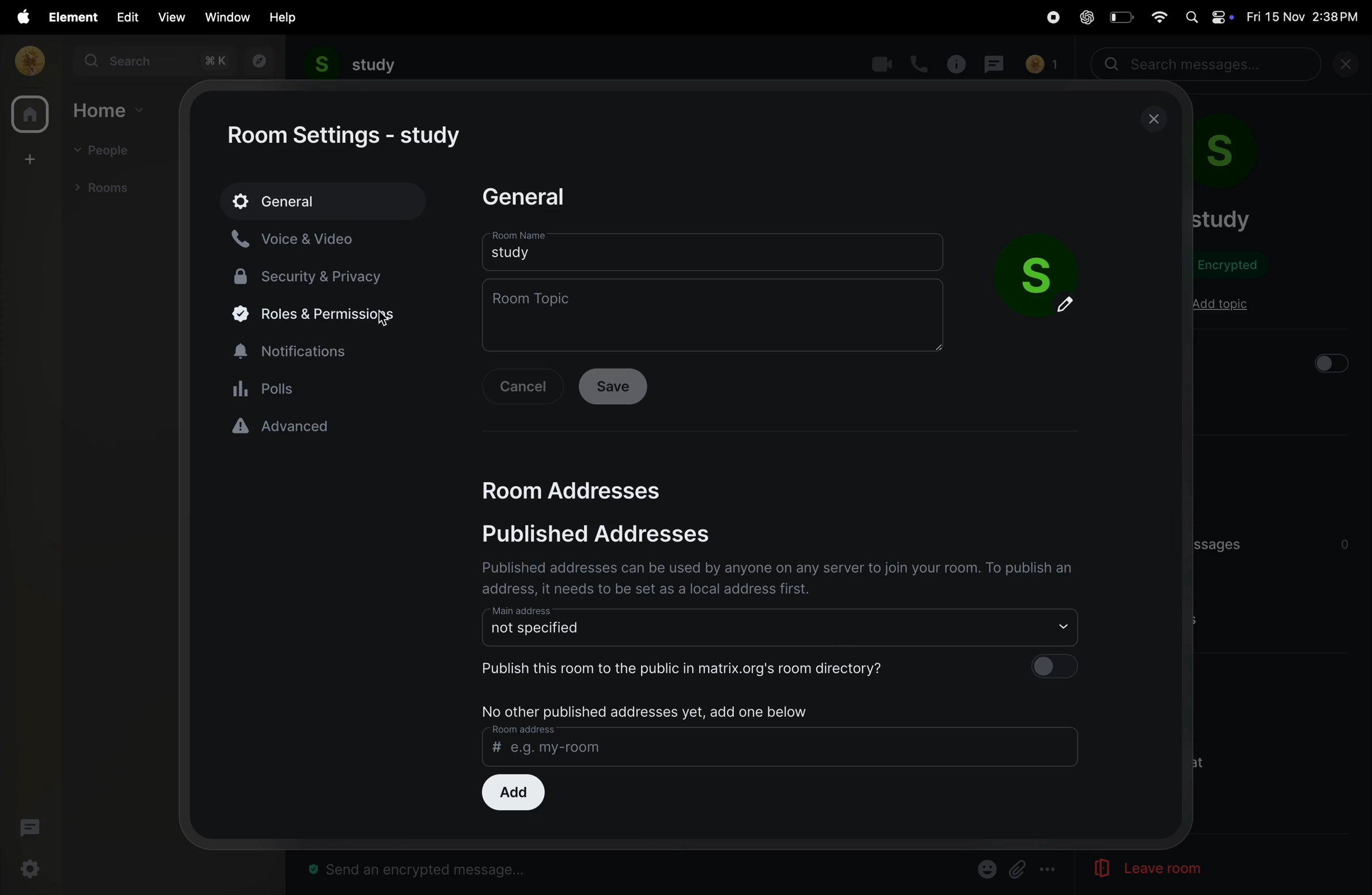  What do you see at coordinates (28, 158) in the screenshot?
I see `create space` at bounding box center [28, 158].